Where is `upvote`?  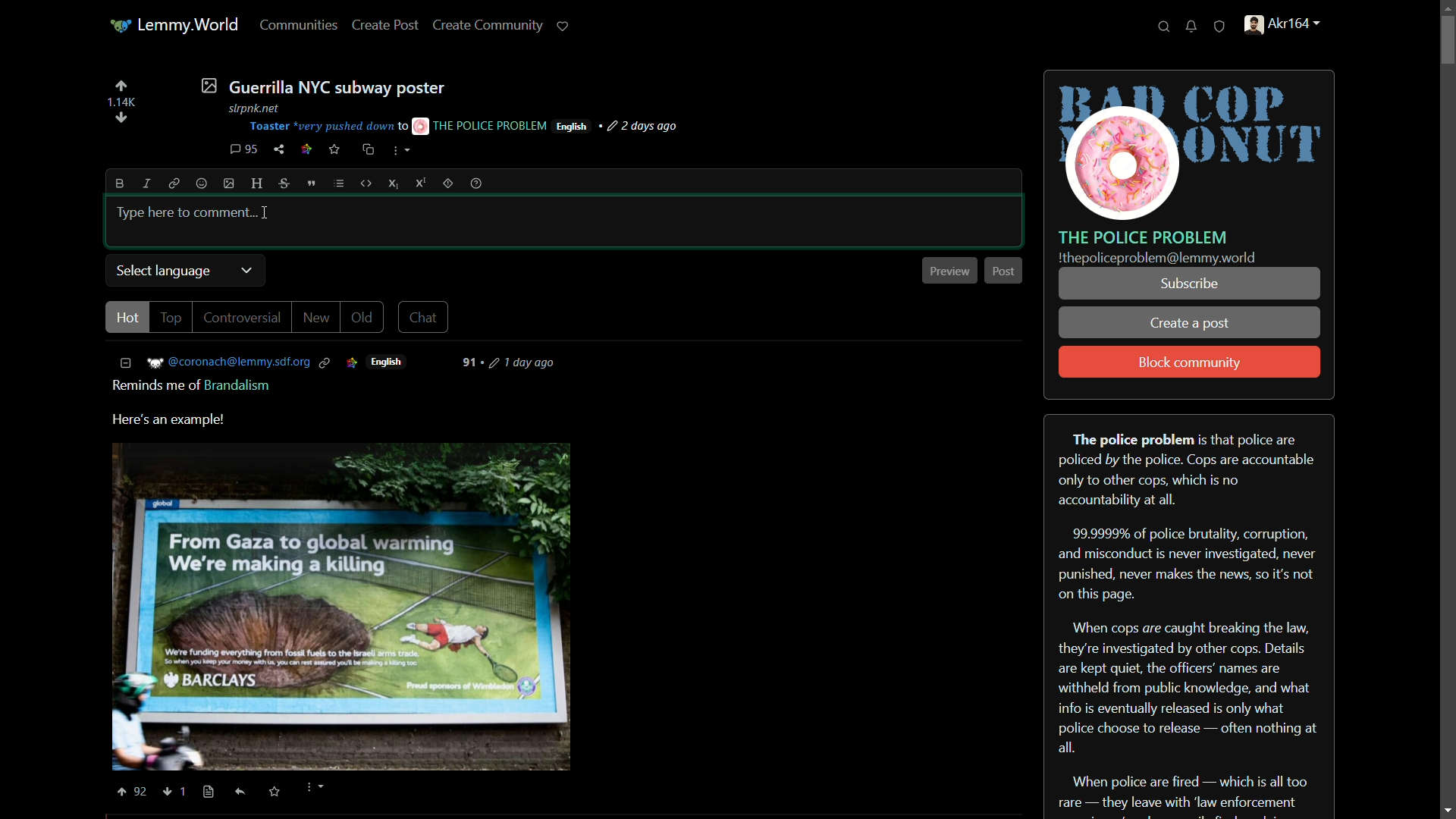
upvote is located at coordinates (121, 86).